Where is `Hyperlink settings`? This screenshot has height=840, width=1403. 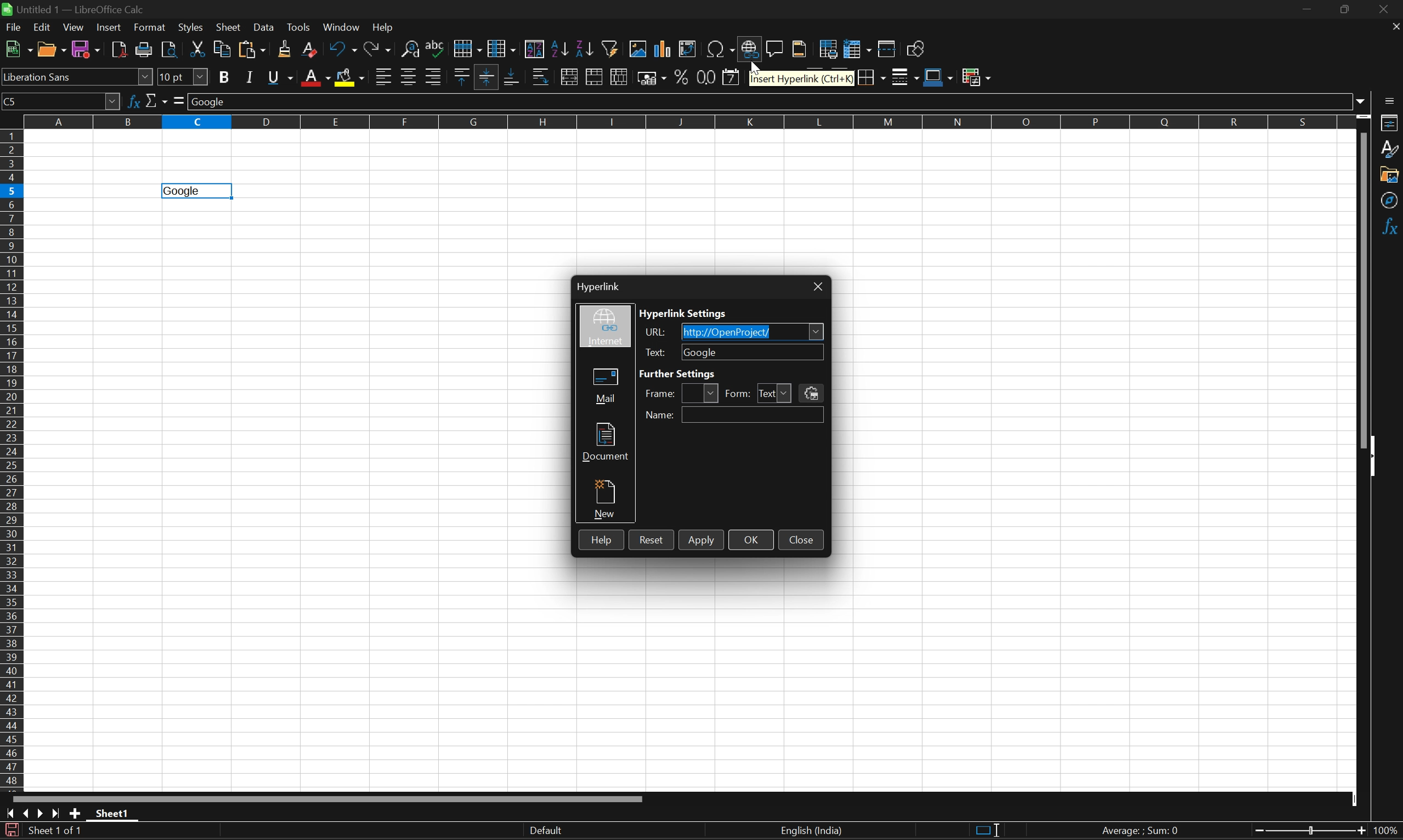
Hyperlink settings is located at coordinates (684, 314).